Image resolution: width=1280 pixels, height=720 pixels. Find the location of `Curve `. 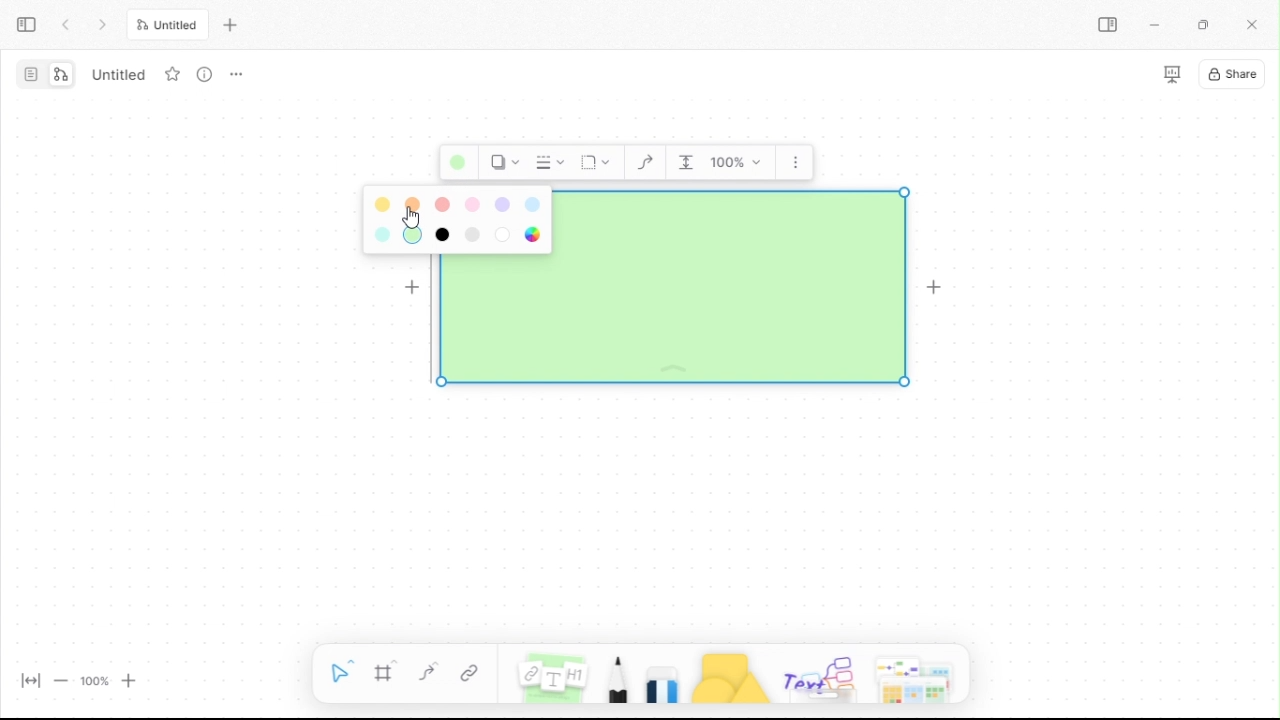

Curve  is located at coordinates (645, 163).